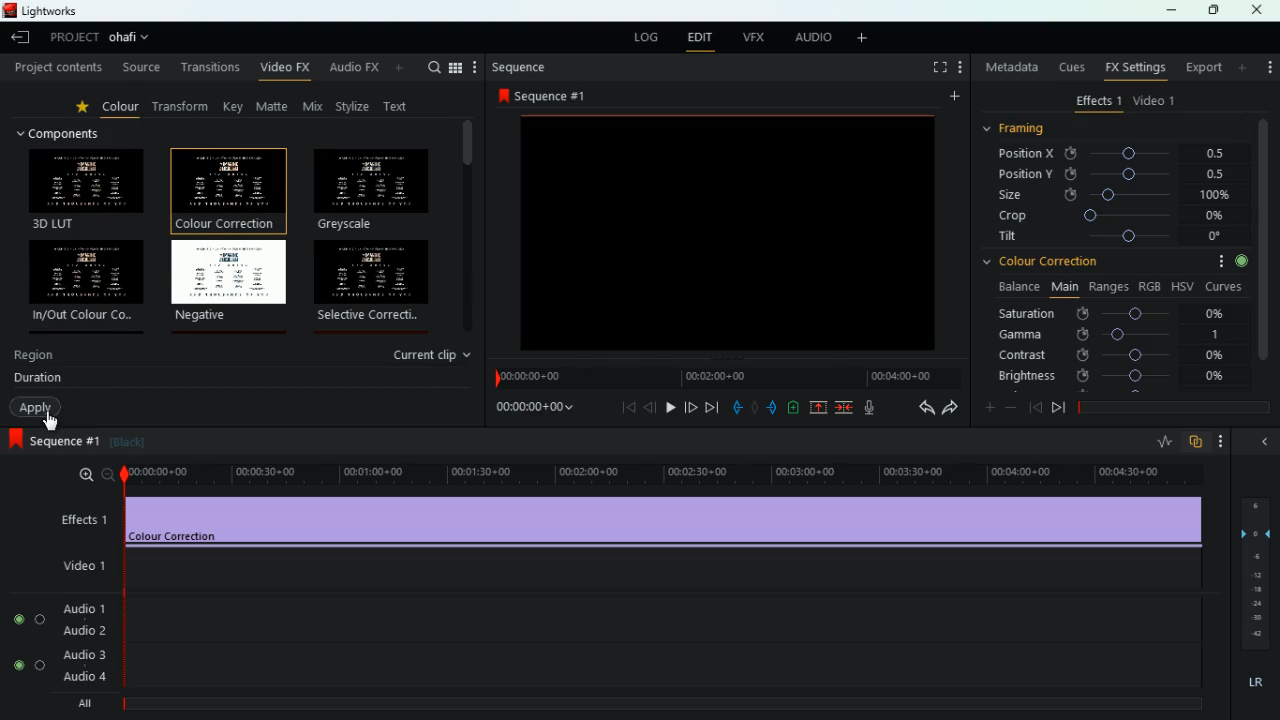  Describe the element at coordinates (937, 67) in the screenshot. I see `full screen` at that location.